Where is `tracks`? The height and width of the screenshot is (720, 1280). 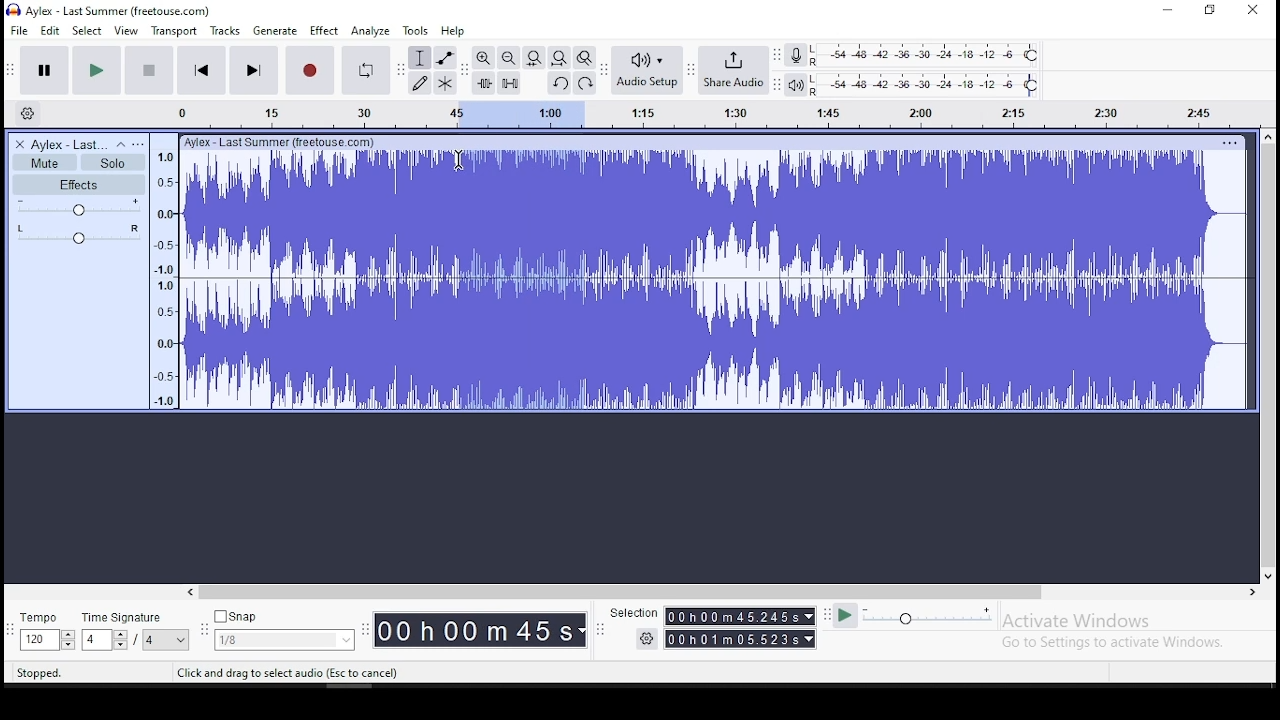 tracks is located at coordinates (225, 31).